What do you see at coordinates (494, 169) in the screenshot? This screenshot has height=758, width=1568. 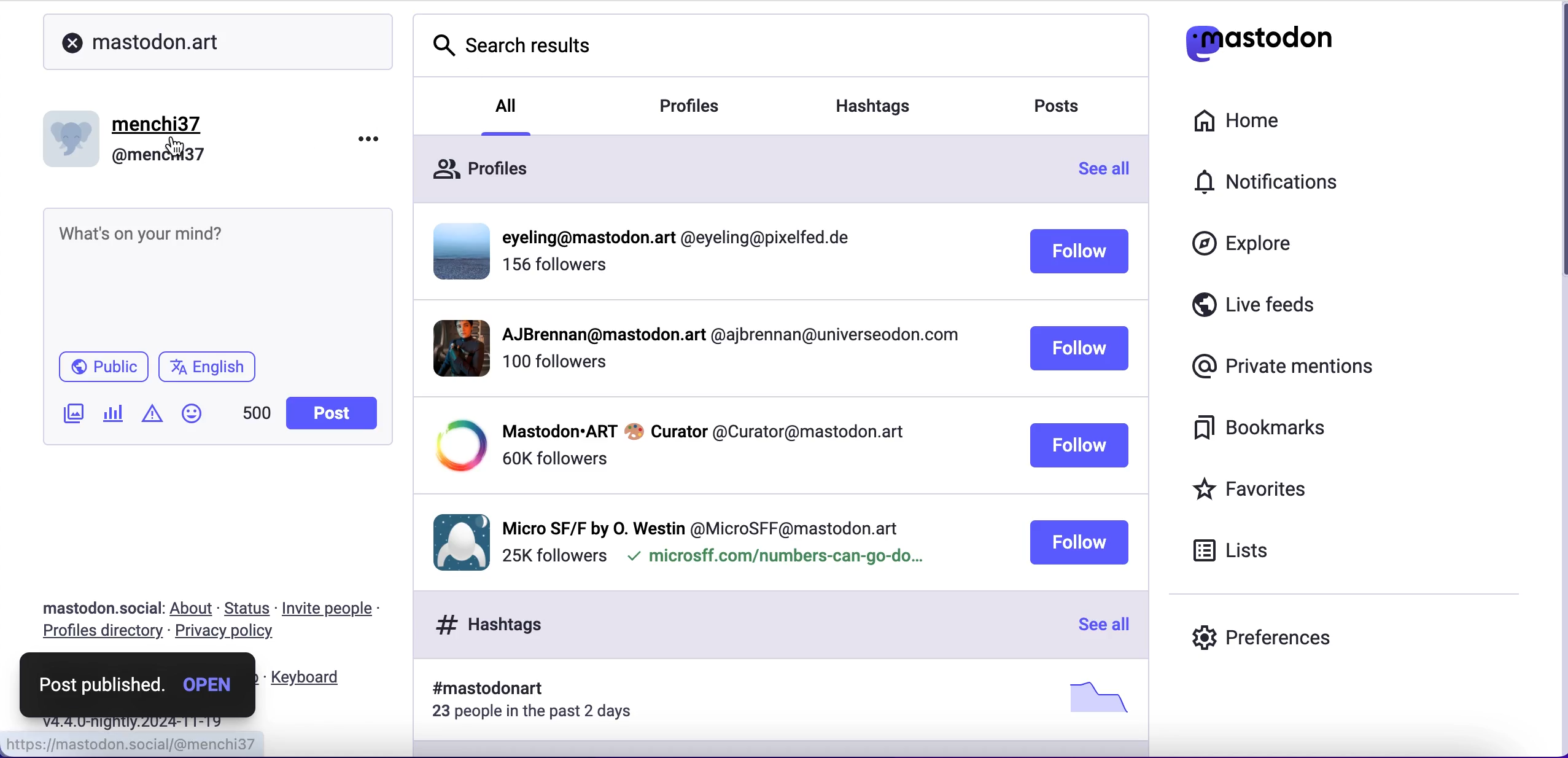 I see `profiles` at bounding box center [494, 169].